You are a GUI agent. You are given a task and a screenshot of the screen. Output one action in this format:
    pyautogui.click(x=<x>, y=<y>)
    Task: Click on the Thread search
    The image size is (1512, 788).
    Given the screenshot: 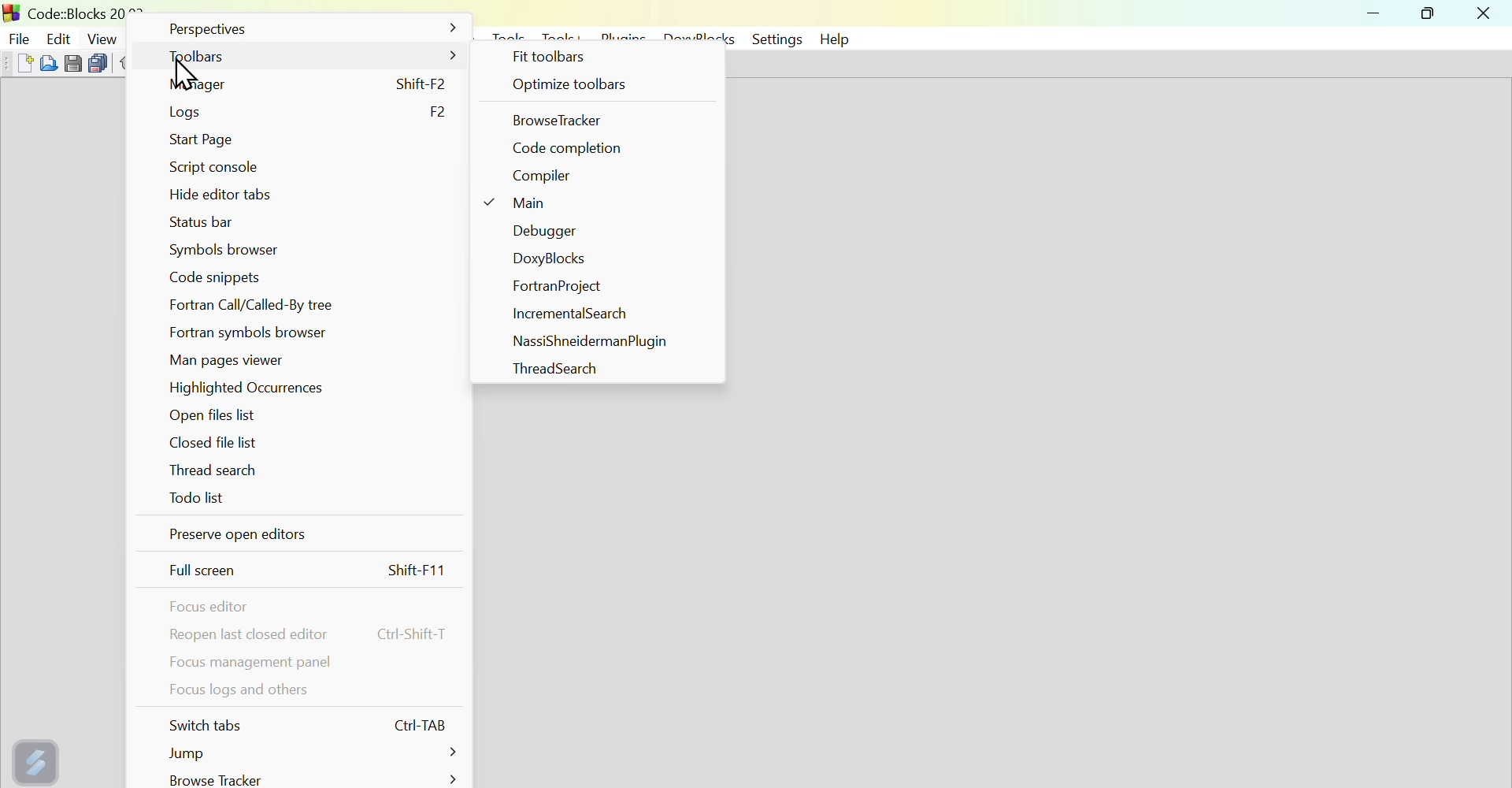 What is the action you would take?
    pyautogui.click(x=544, y=369)
    